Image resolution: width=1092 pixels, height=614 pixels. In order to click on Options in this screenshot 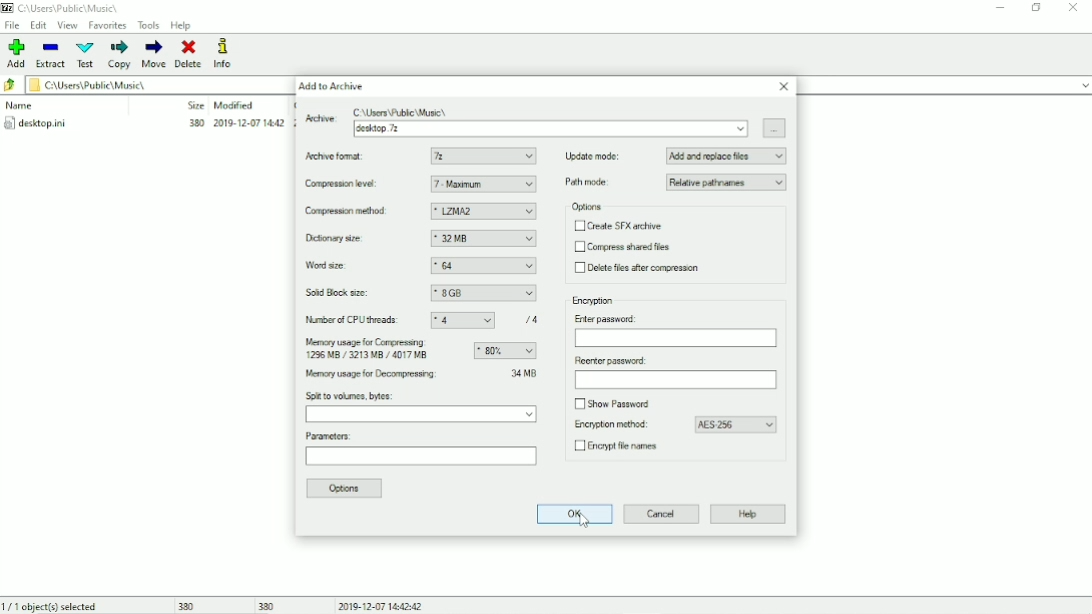, I will do `click(588, 207)`.